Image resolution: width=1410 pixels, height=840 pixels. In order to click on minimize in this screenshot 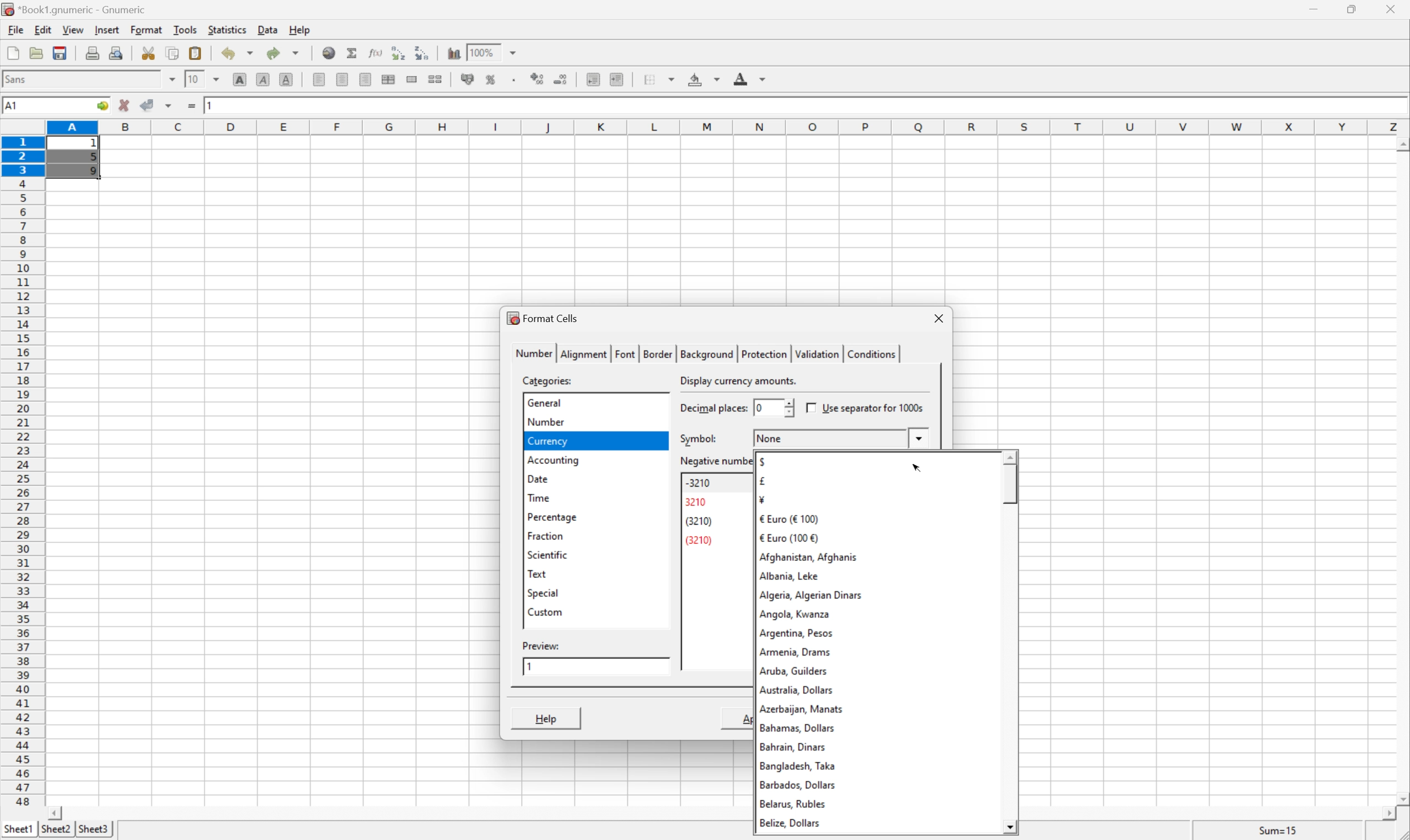, I will do `click(1316, 7)`.